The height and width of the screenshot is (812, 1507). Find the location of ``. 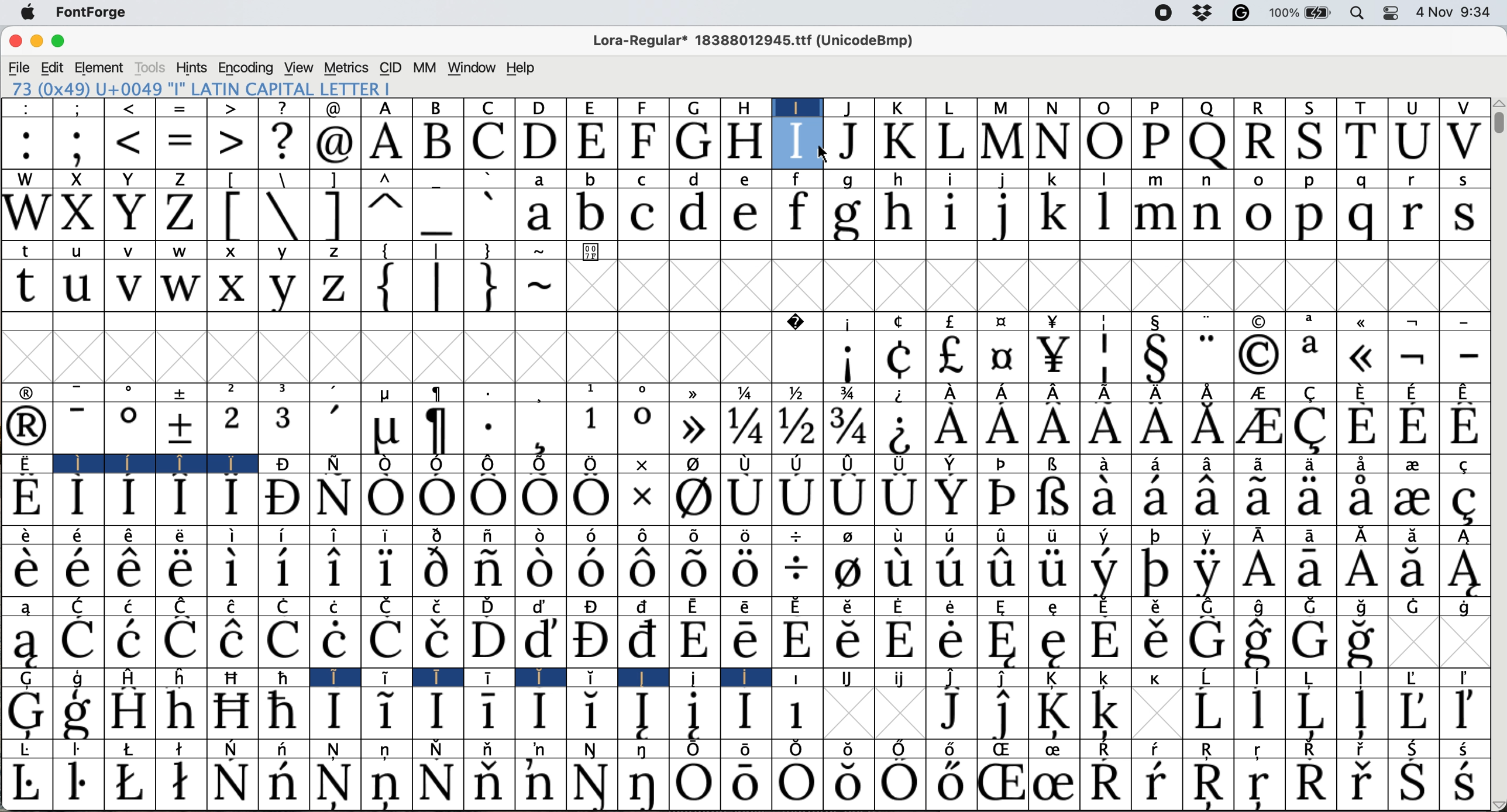

 is located at coordinates (181, 461).